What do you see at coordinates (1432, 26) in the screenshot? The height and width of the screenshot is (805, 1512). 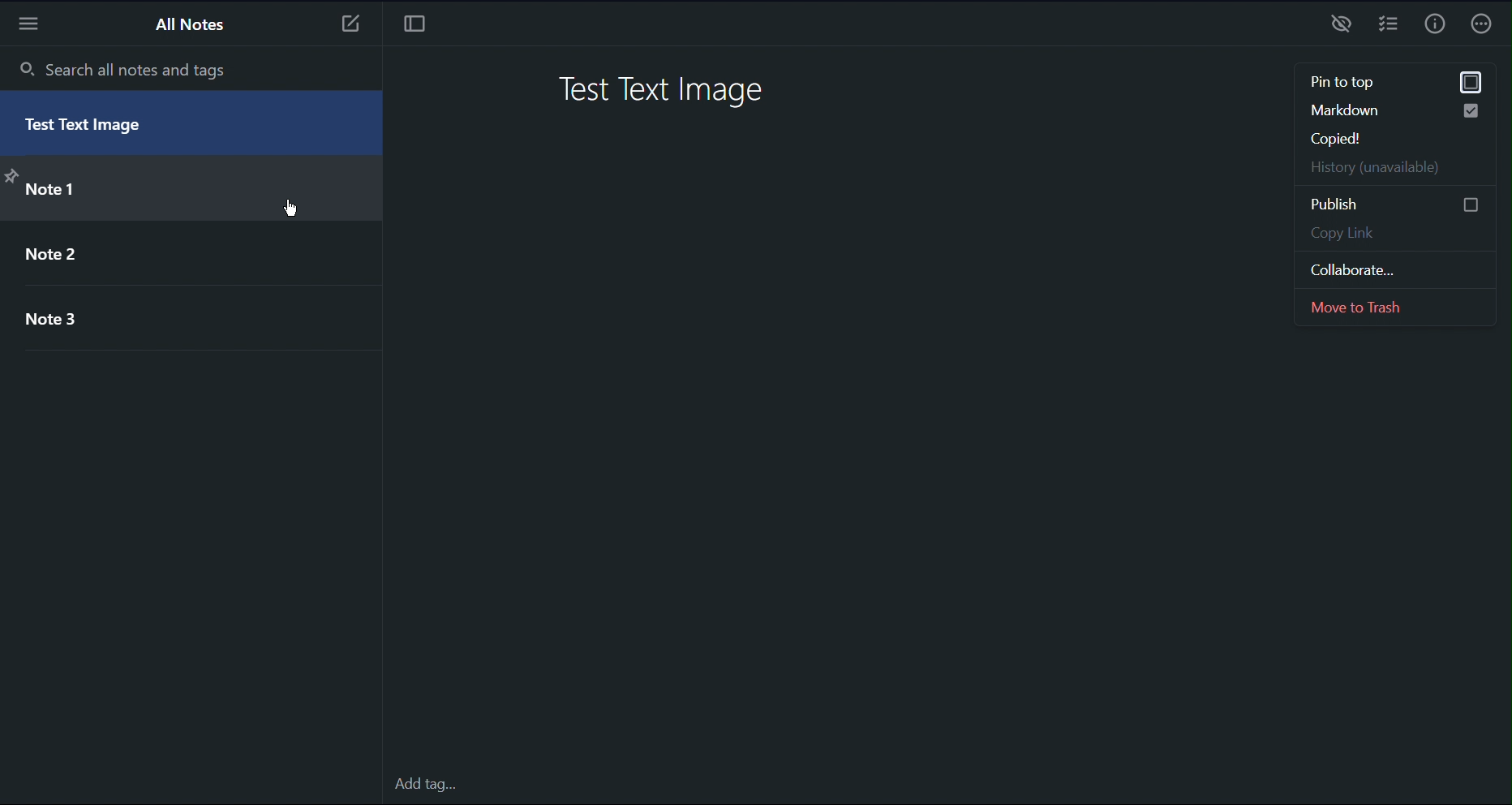 I see `Info` at bounding box center [1432, 26].